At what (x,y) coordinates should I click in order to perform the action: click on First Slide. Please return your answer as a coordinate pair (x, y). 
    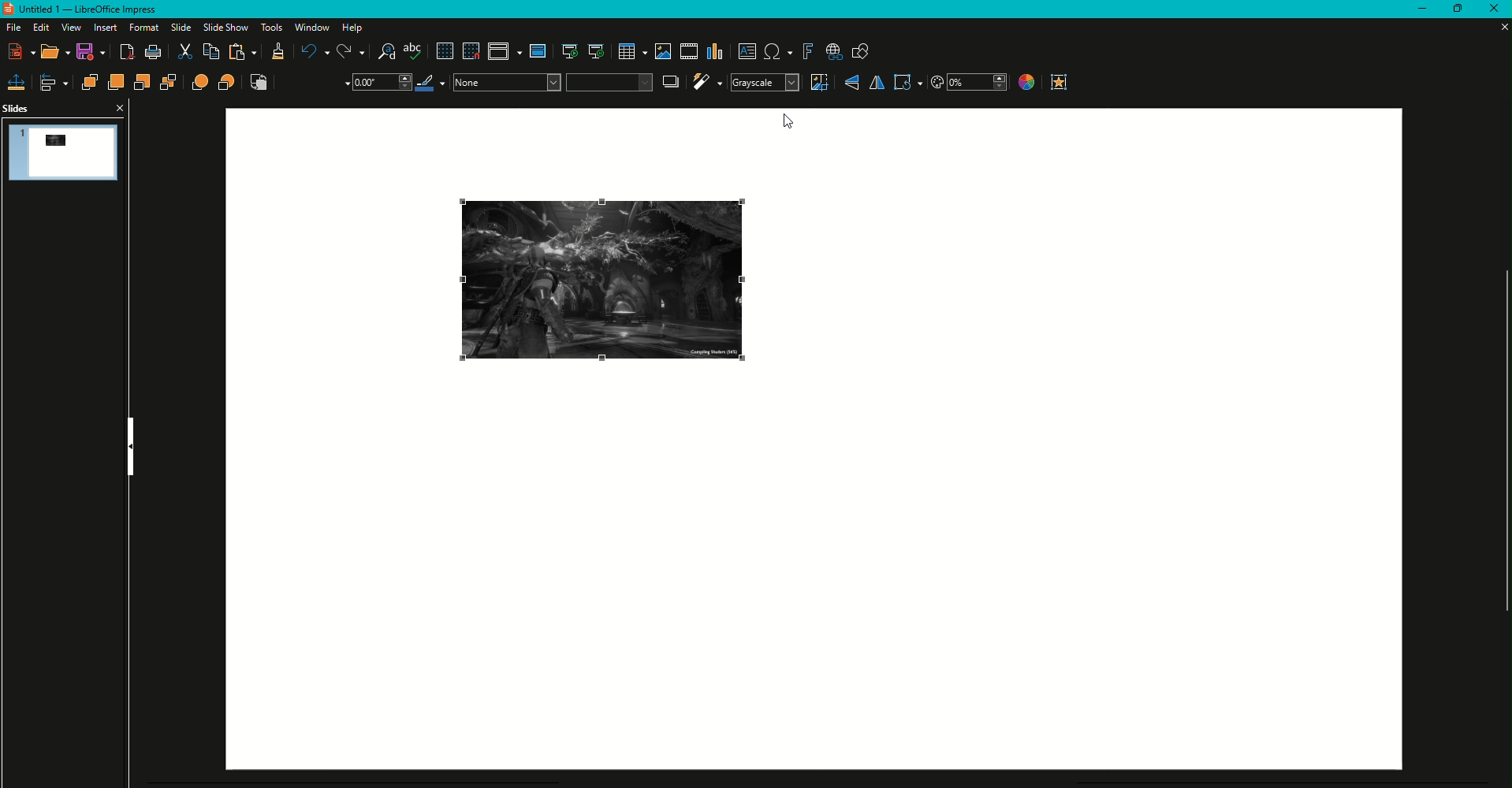
    Looking at the image, I should click on (568, 53).